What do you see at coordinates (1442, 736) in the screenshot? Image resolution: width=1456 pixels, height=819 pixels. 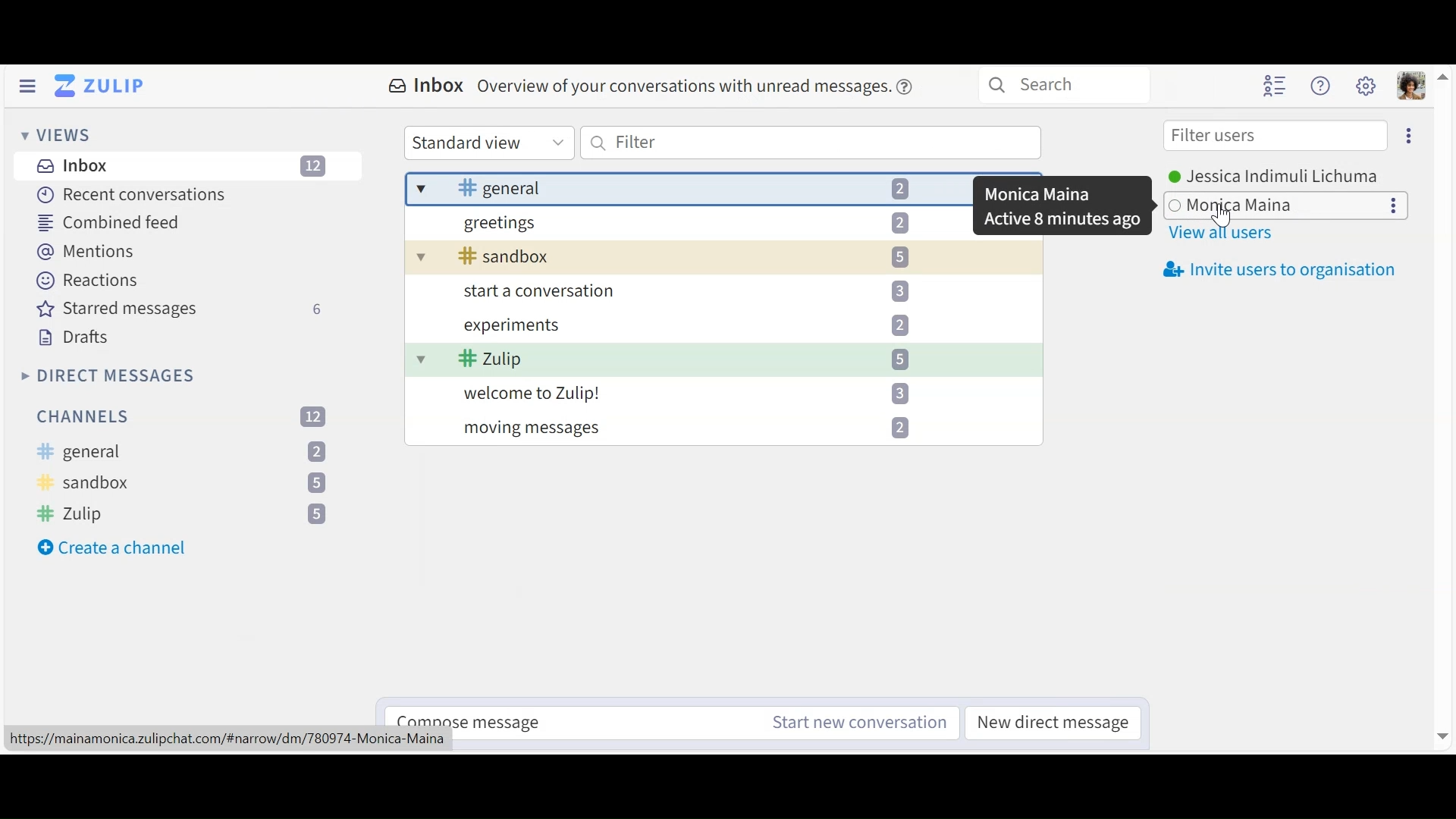 I see `move down` at bounding box center [1442, 736].